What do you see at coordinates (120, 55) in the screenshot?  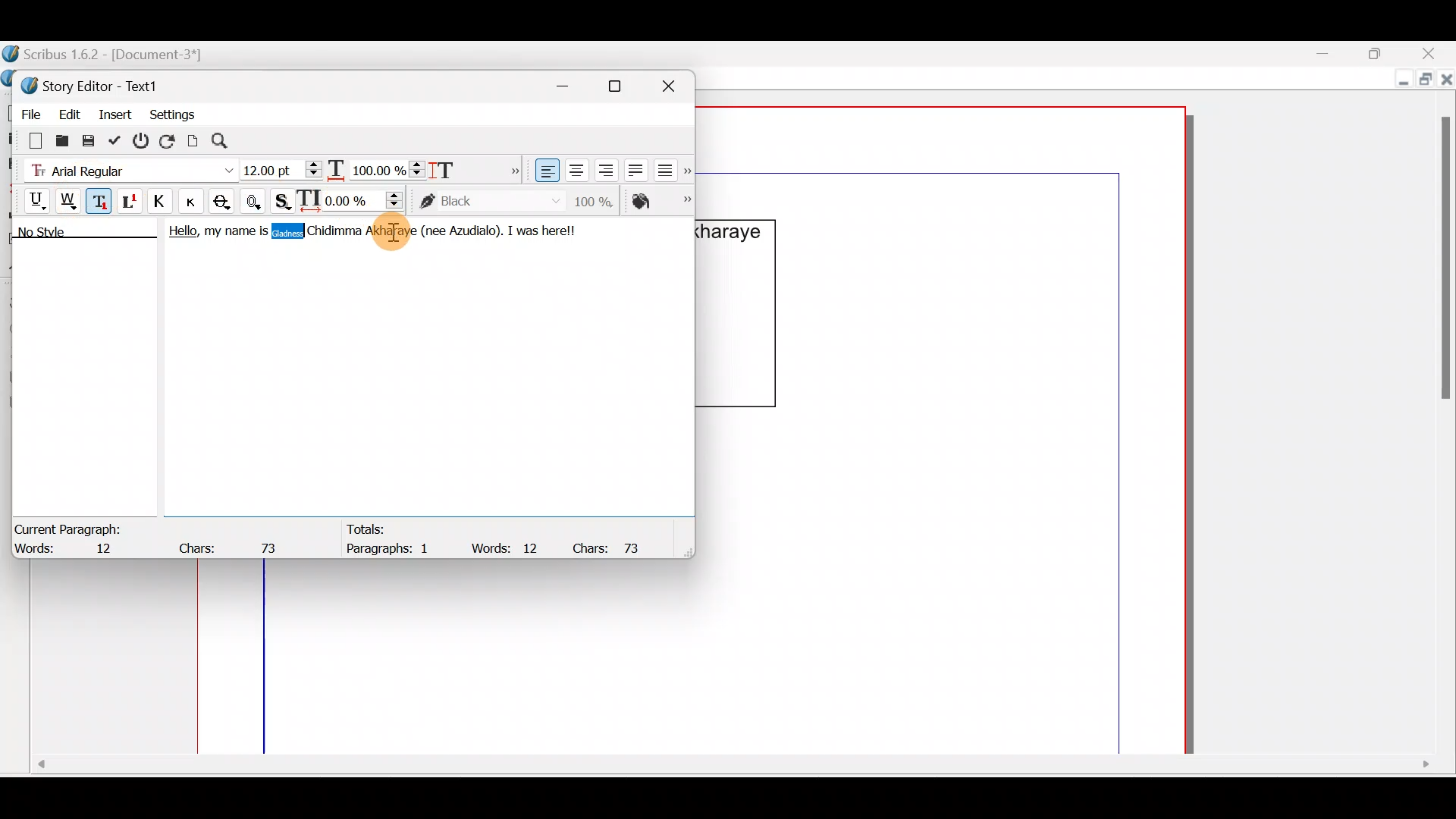 I see `Scribus 1.6.2 - [Document-3*]` at bounding box center [120, 55].